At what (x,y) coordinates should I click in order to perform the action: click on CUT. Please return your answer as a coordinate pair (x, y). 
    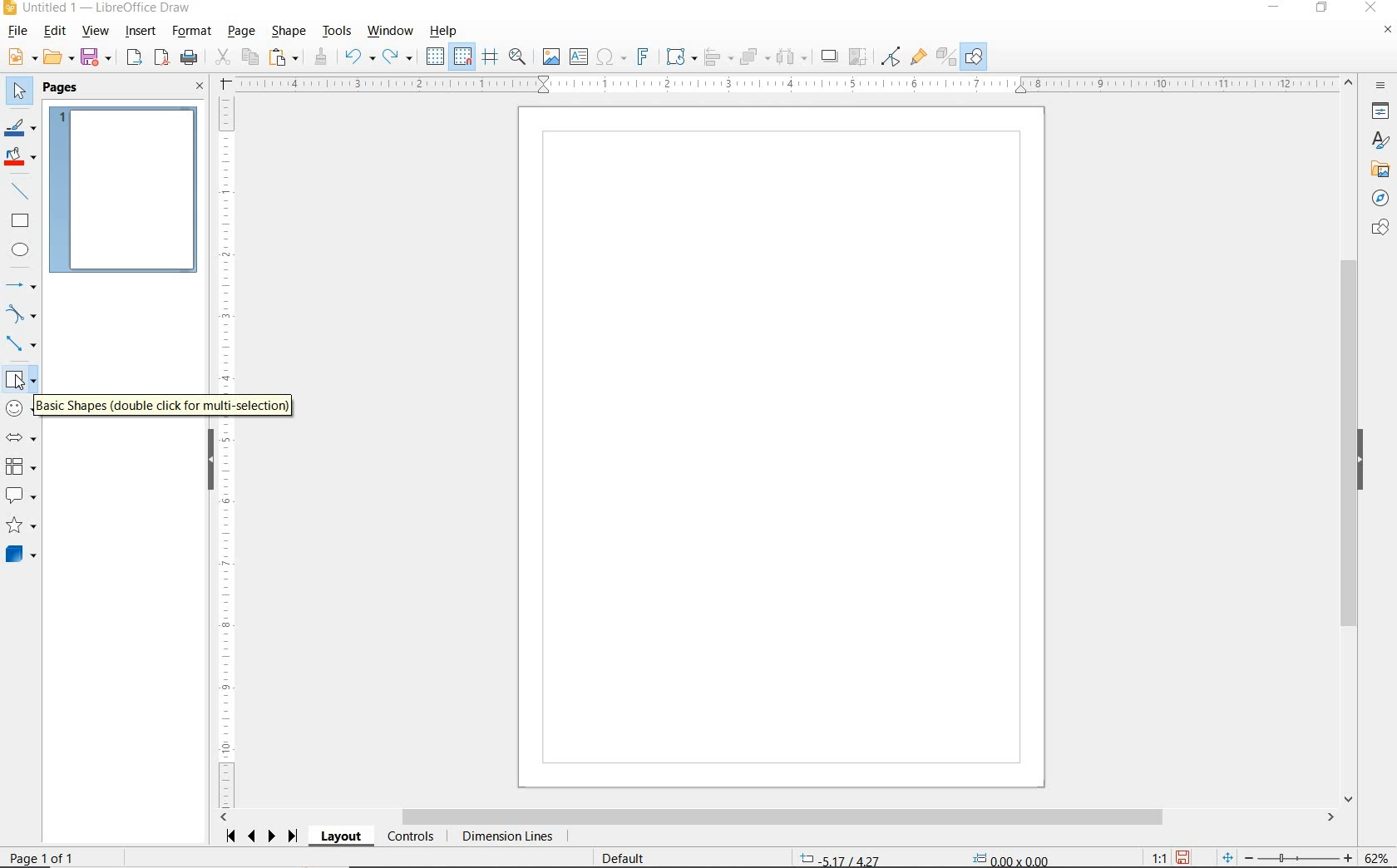
    Looking at the image, I should click on (222, 57).